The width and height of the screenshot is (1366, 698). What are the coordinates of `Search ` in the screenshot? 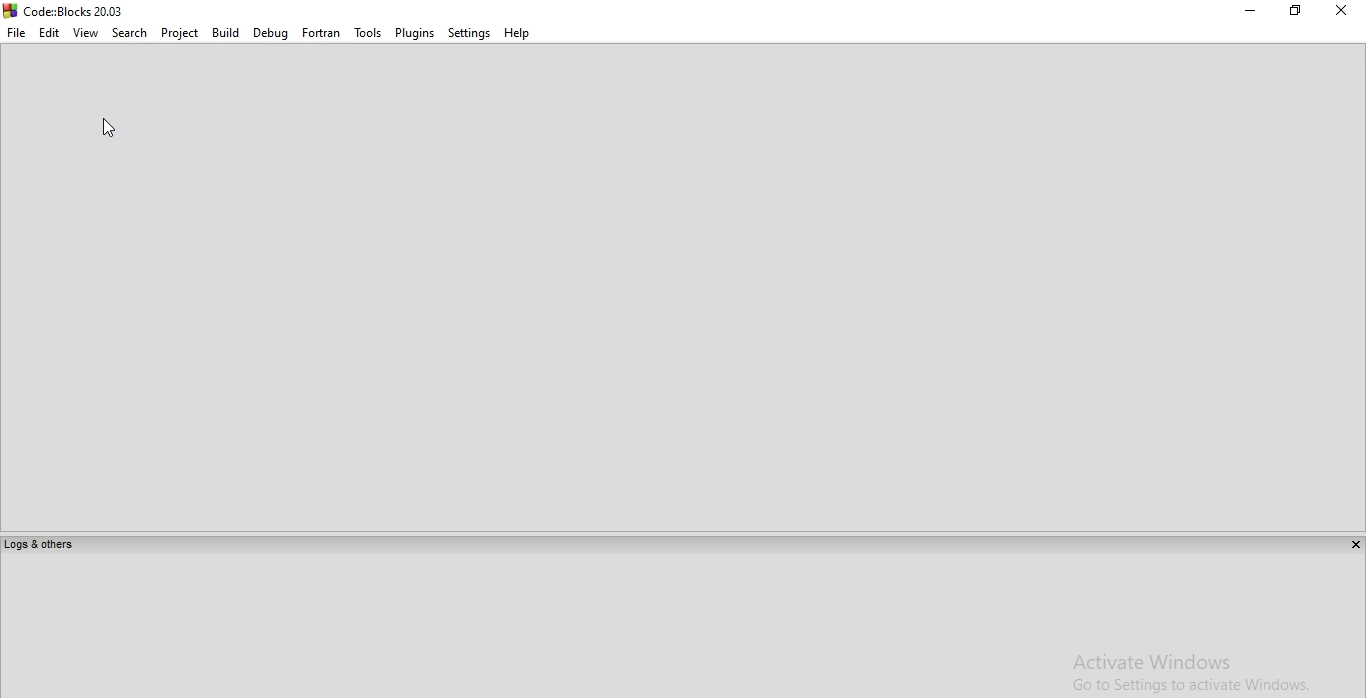 It's located at (130, 32).